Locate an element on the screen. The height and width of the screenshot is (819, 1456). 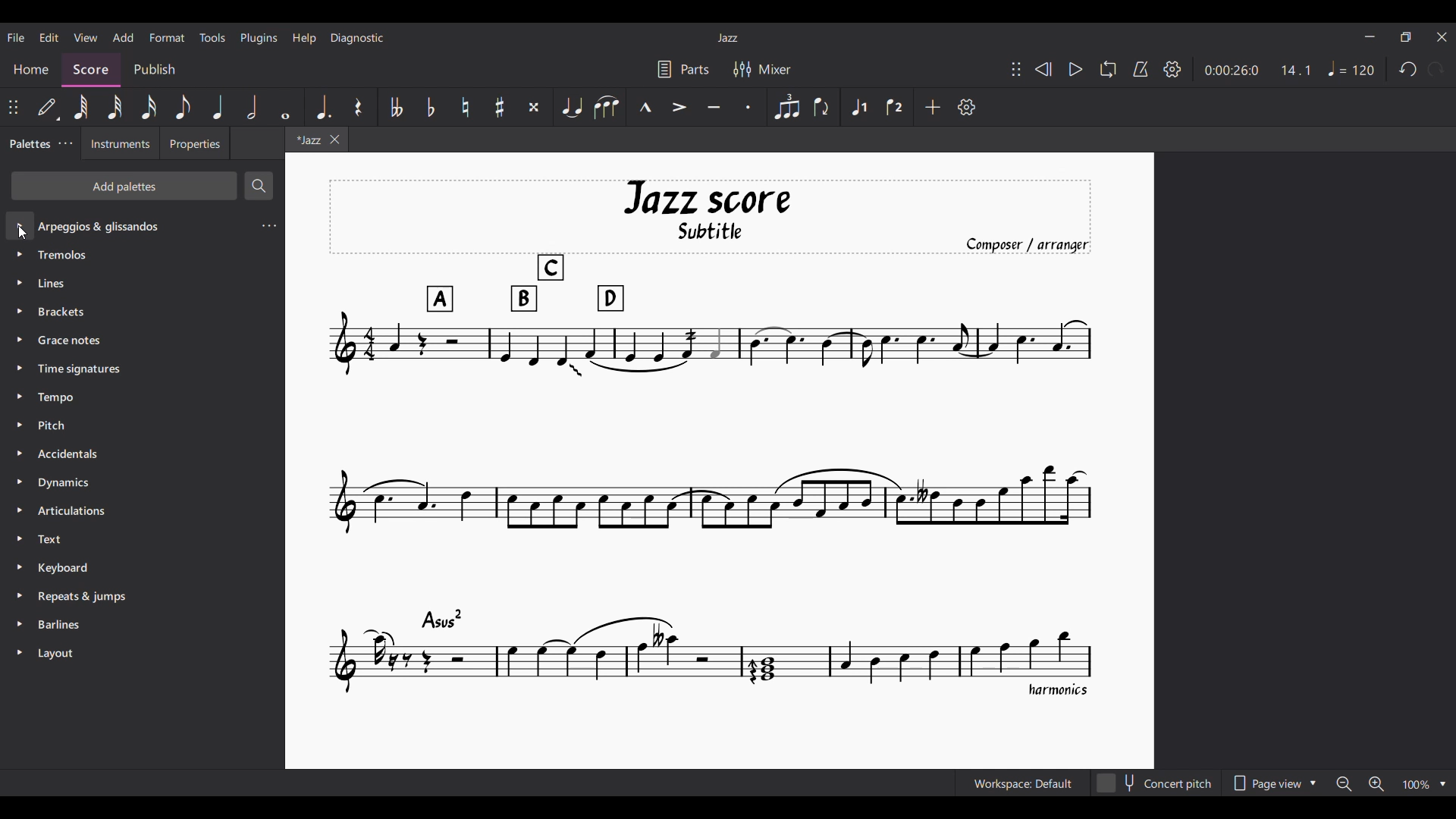
File menu is located at coordinates (16, 37).